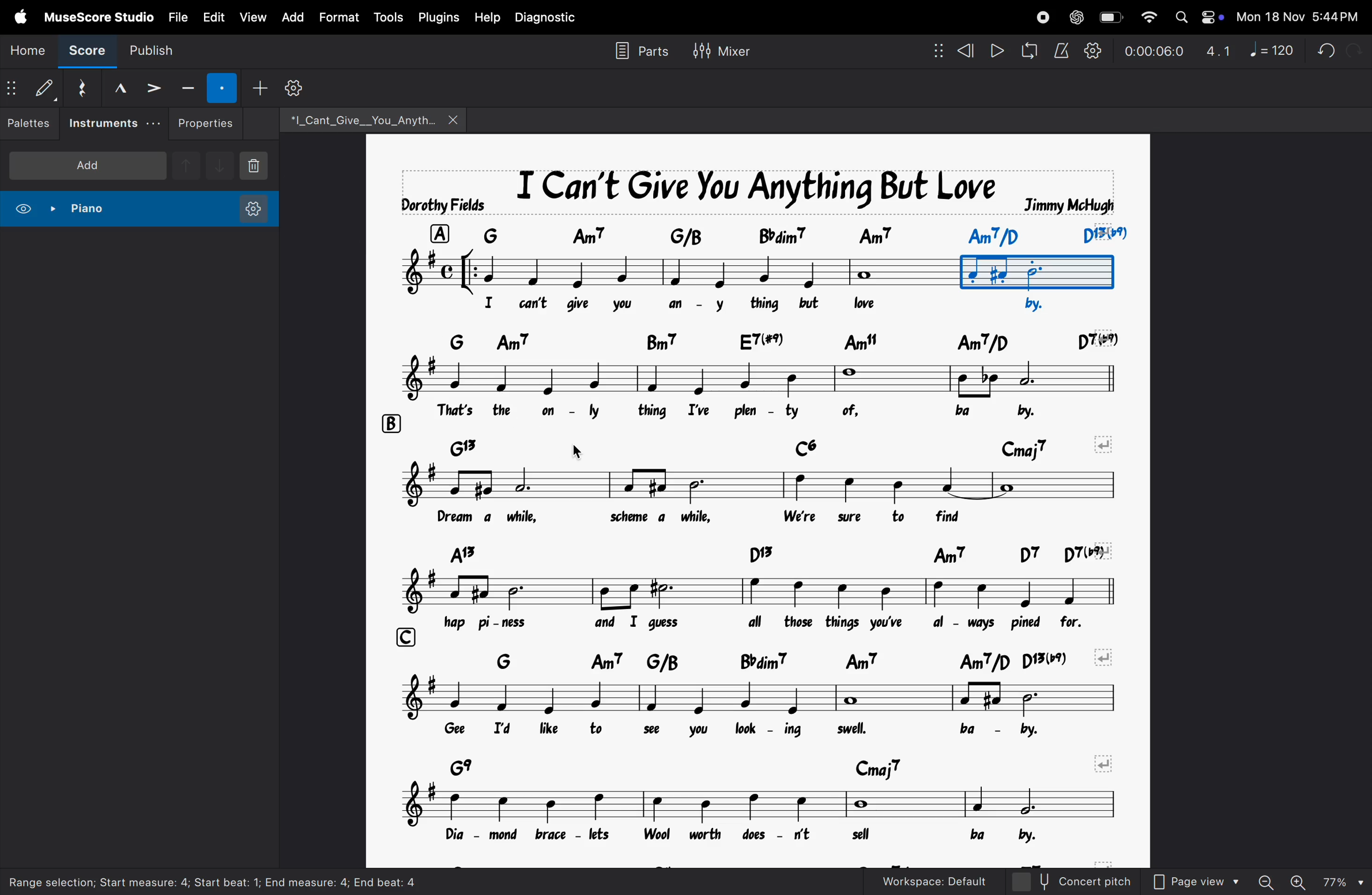 Image resolution: width=1372 pixels, height=895 pixels. Describe the element at coordinates (1156, 50) in the screenshot. I see `timestamp` at that location.